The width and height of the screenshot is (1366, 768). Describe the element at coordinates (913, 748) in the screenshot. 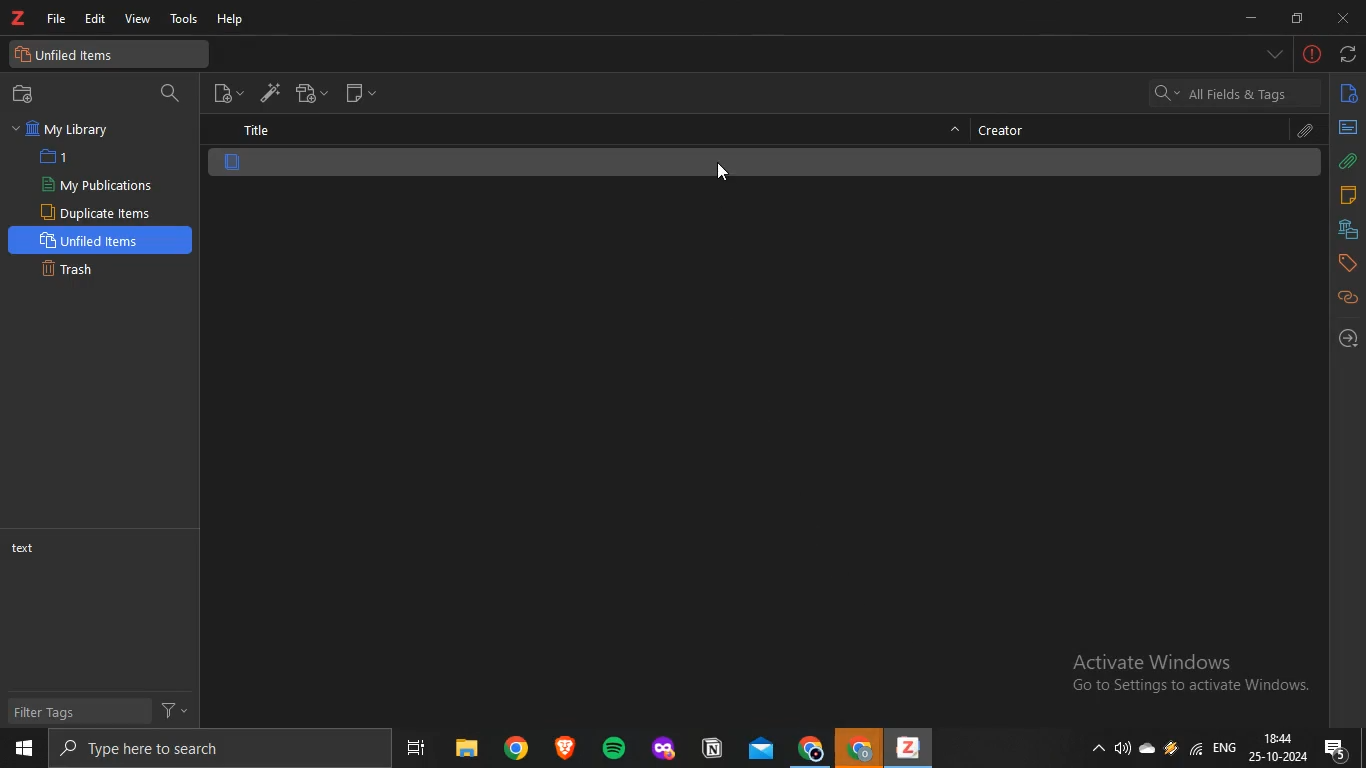

I see `app` at that location.